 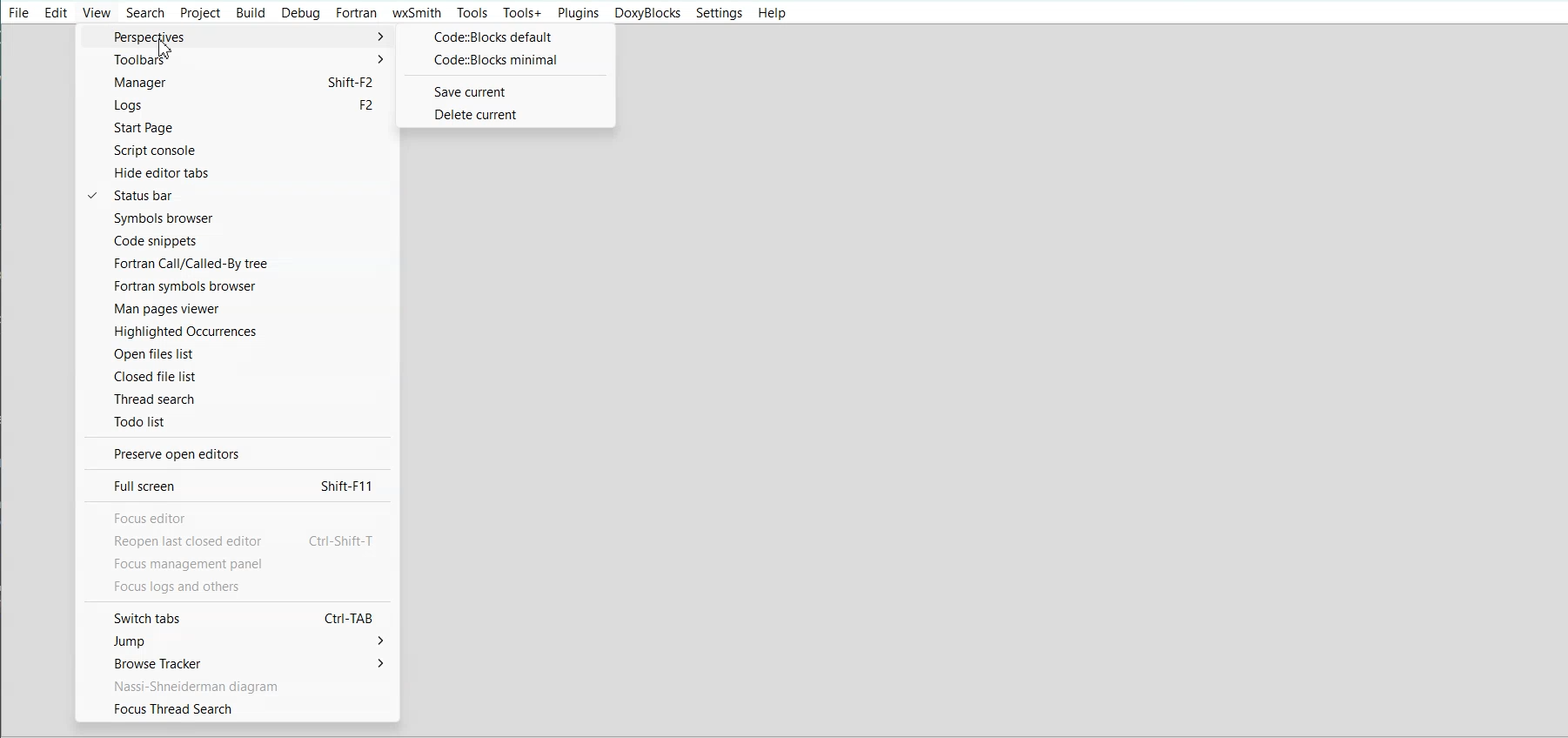 I want to click on Symbol browser, so click(x=238, y=218).